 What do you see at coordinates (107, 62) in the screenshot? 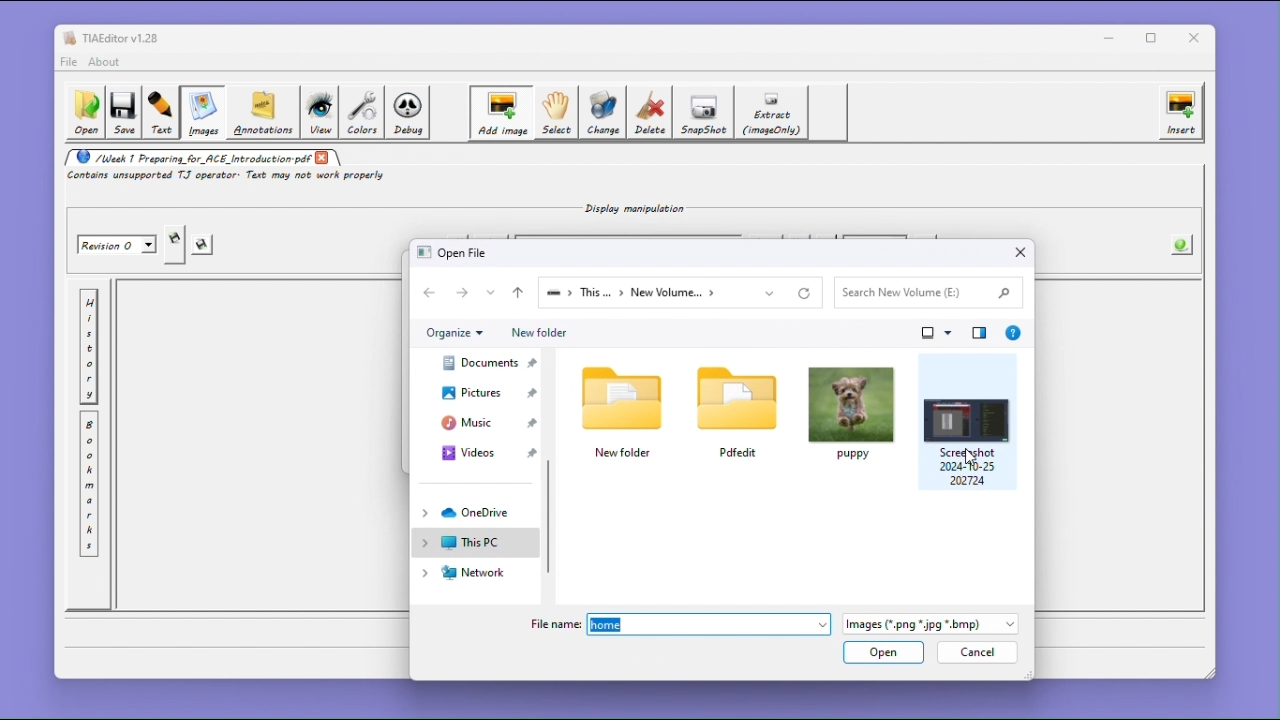
I see `about` at bounding box center [107, 62].